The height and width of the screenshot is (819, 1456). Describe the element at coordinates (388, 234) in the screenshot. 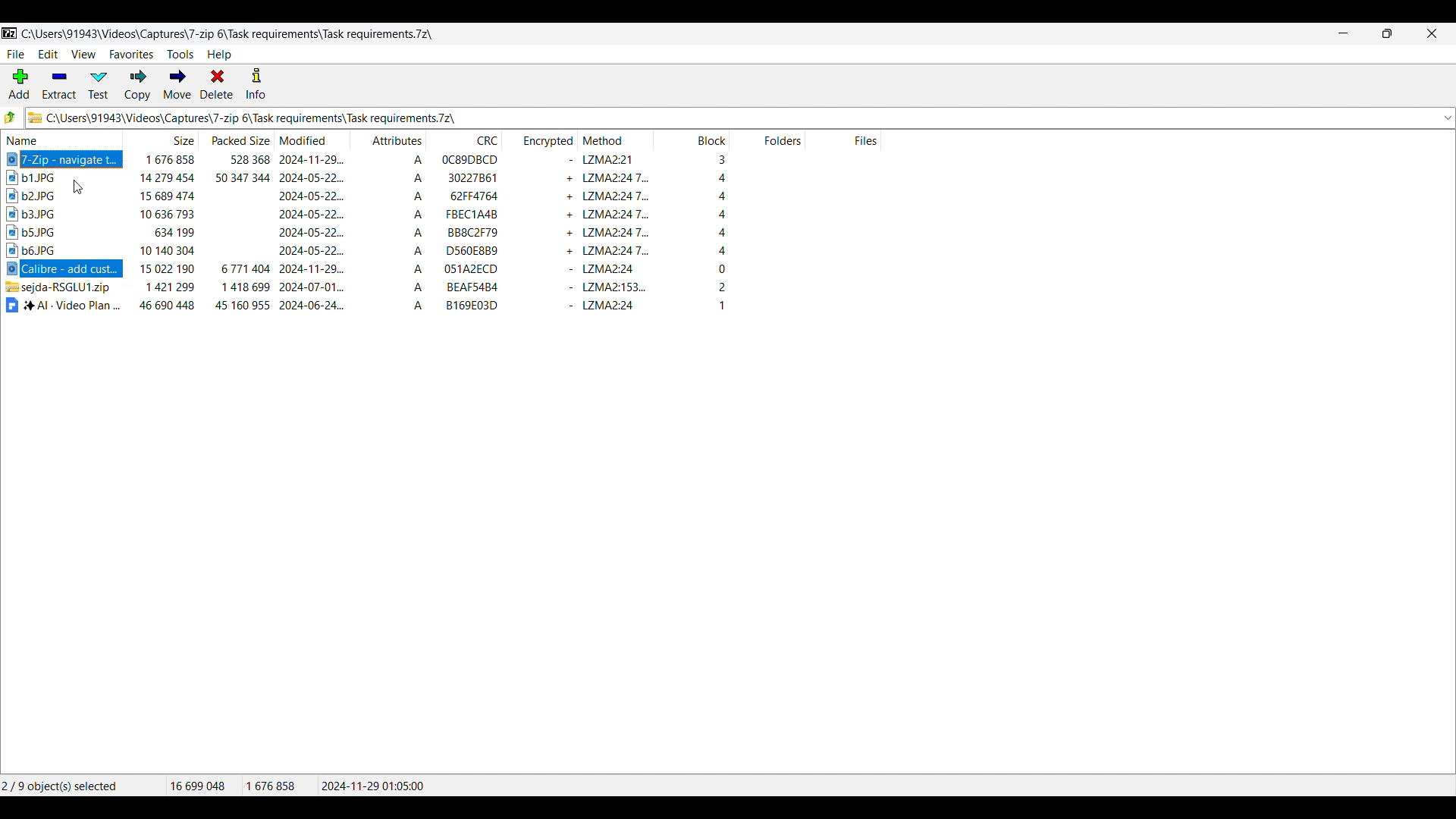

I see `Attributes` at that location.